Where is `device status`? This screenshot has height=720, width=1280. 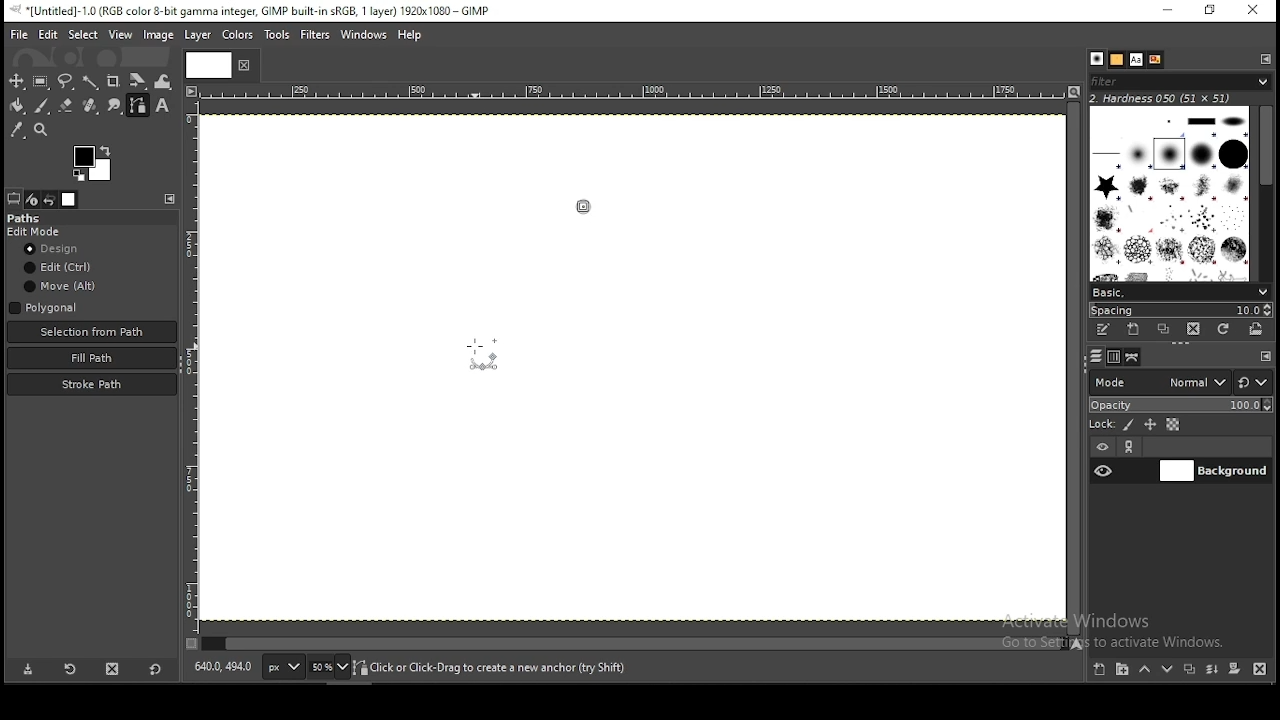
device status is located at coordinates (32, 199).